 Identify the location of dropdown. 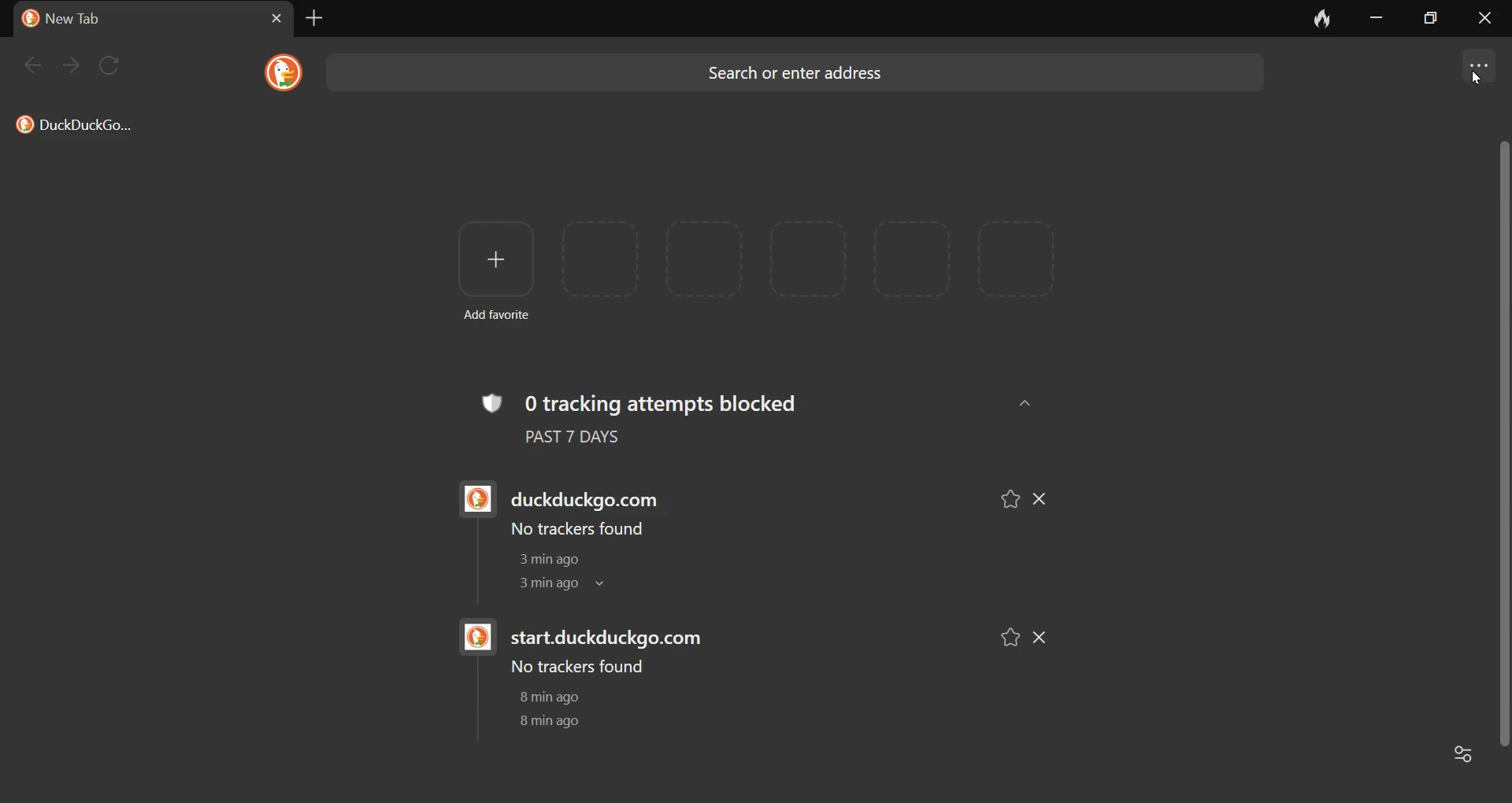
(609, 587).